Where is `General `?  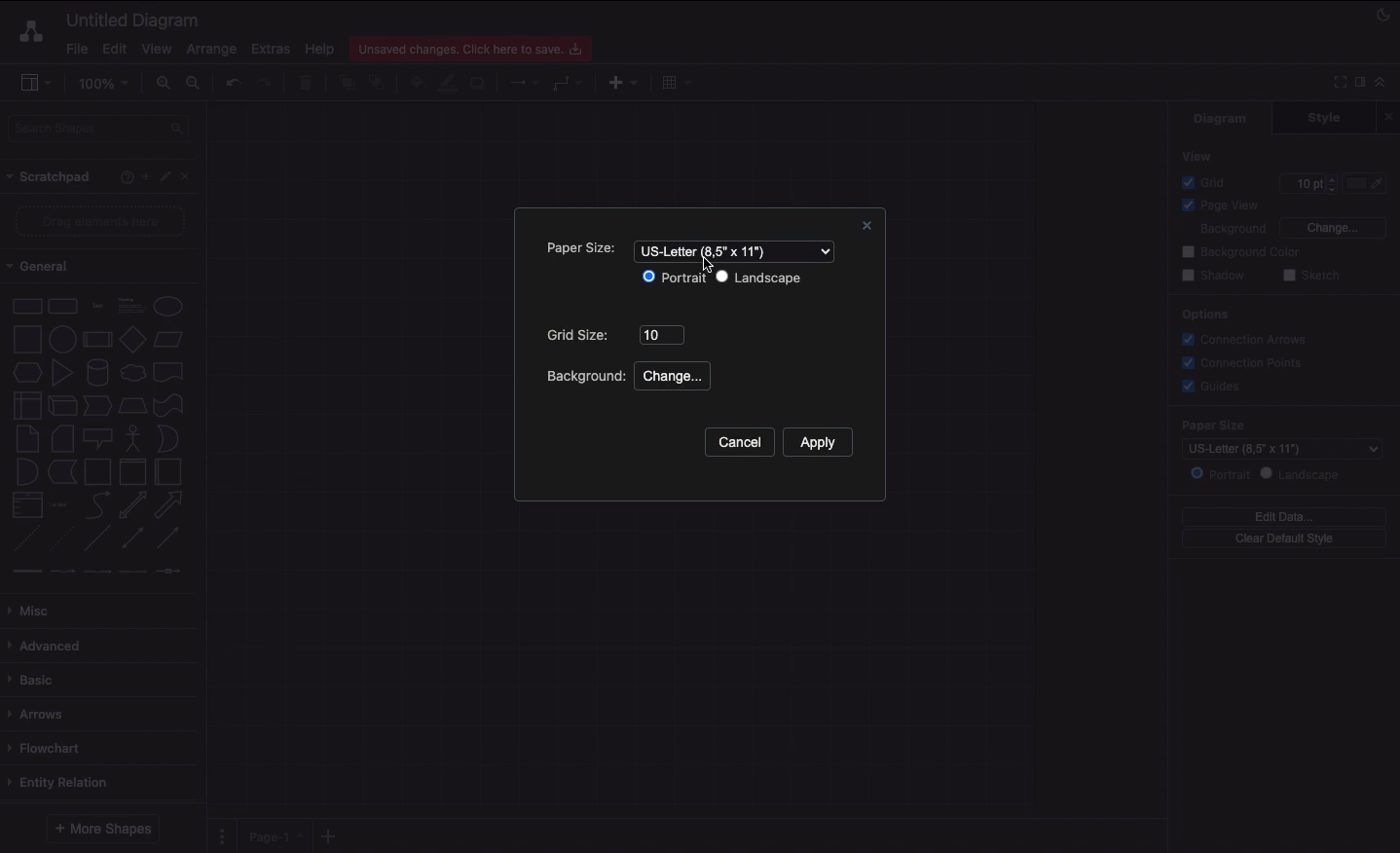
General  is located at coordinates (49, 267).